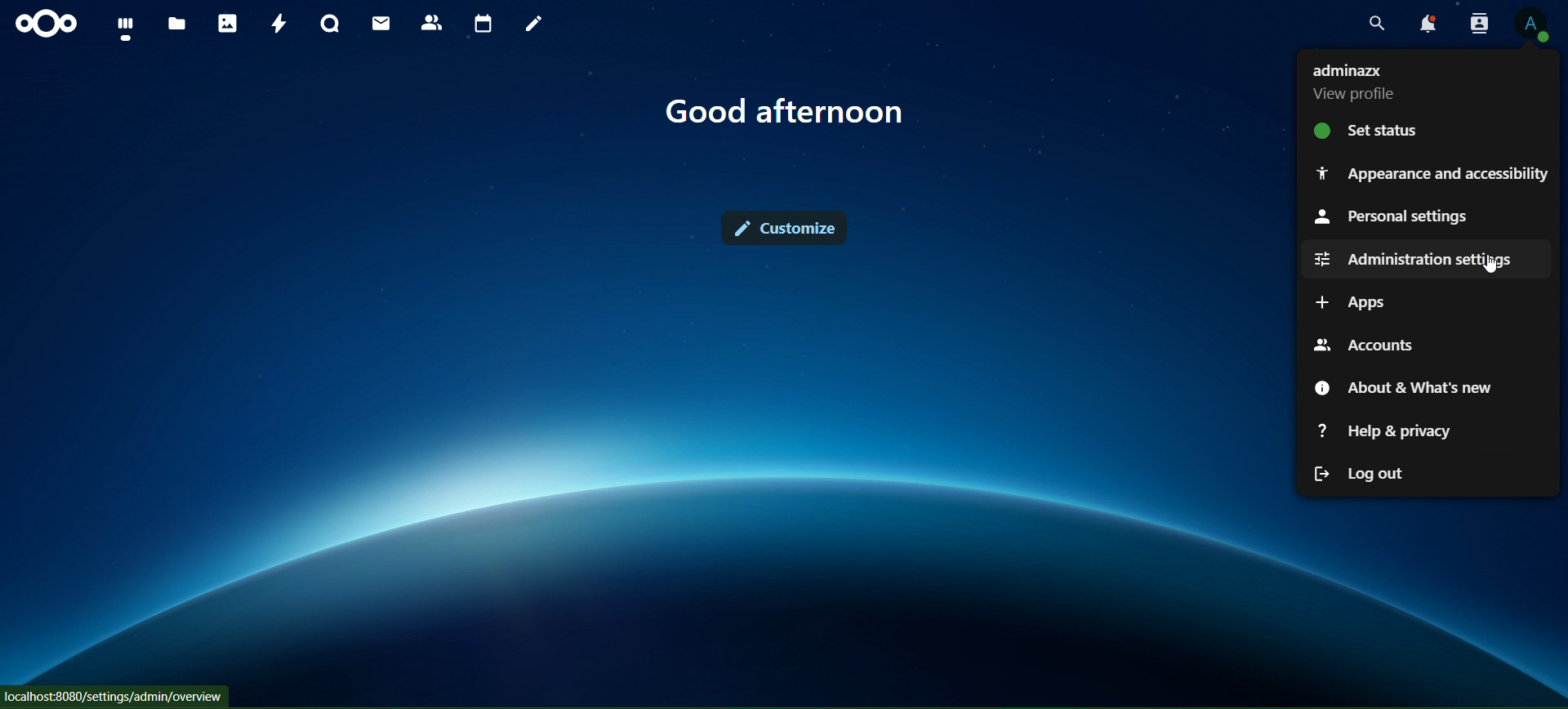 The height and width of the screenshot is (709, 1568). What do you see at coordinates (787, 227) in the screenshot?
I see `customize` at bounding box center [787, 227].